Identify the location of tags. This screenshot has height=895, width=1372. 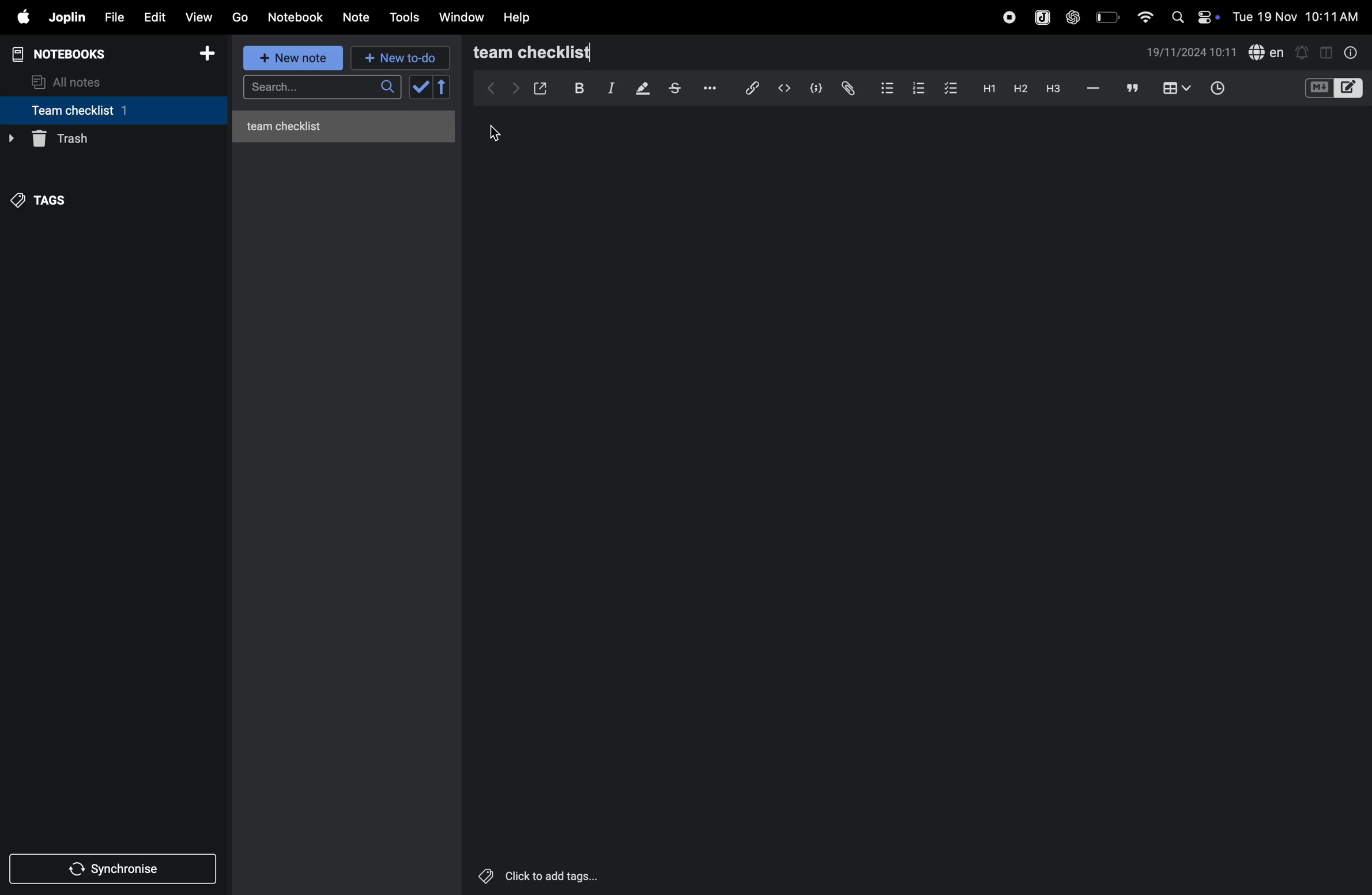
(47, 197).